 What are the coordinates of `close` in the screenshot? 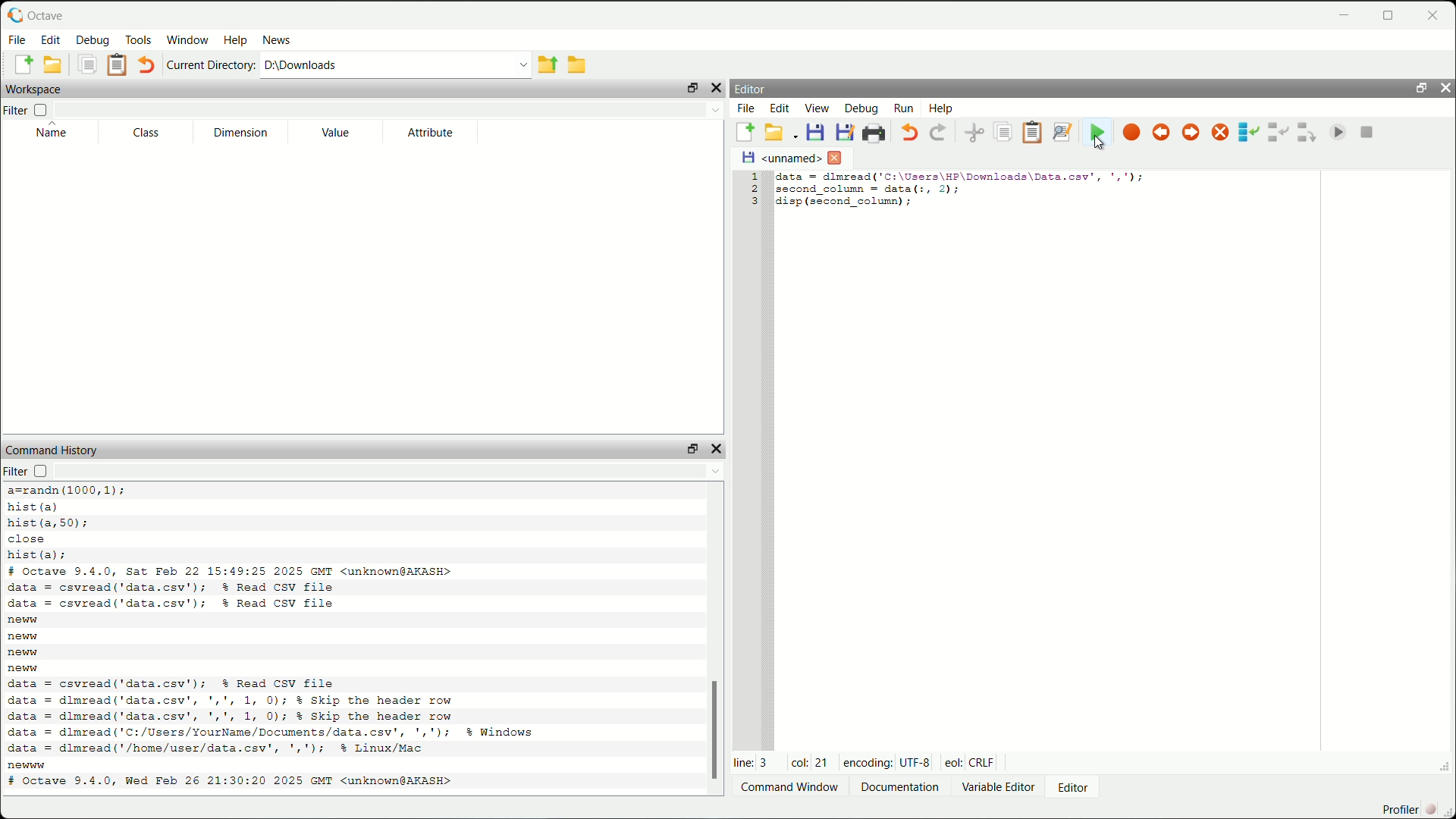 It's located at (1437, 11).